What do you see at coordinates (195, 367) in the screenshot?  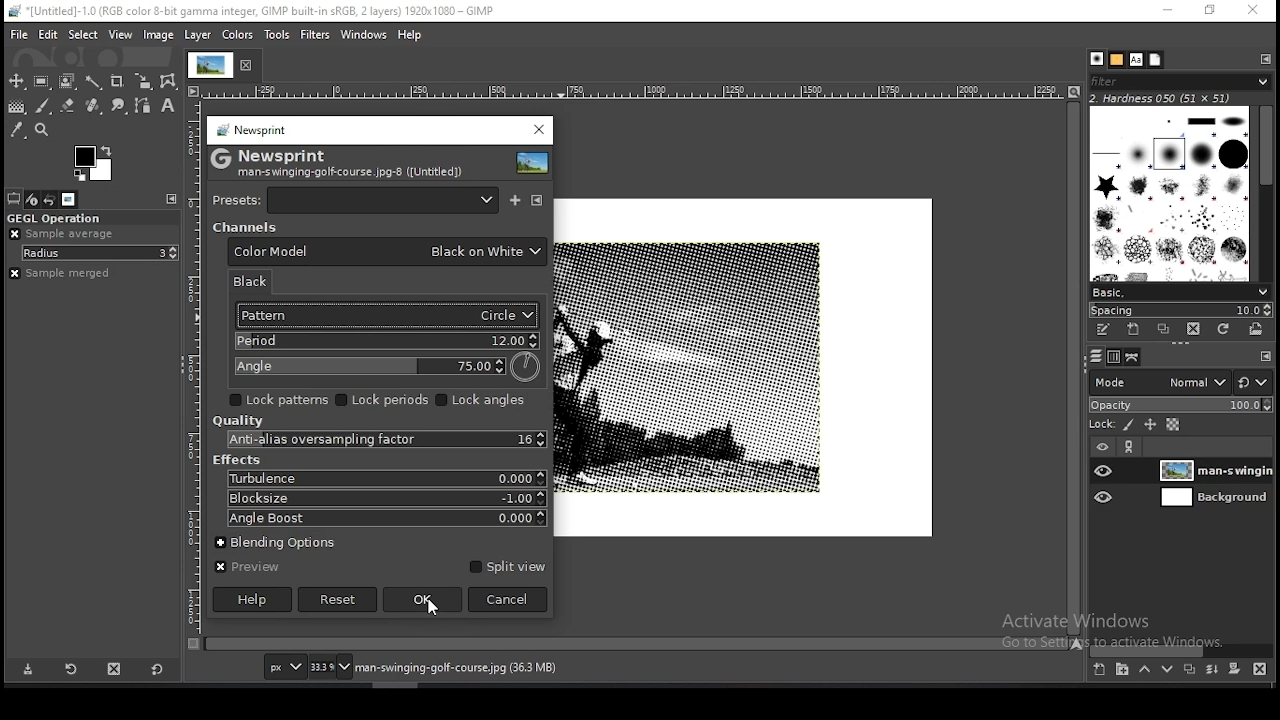 I see `scale (vertical)` at bounding box center [195, 367].